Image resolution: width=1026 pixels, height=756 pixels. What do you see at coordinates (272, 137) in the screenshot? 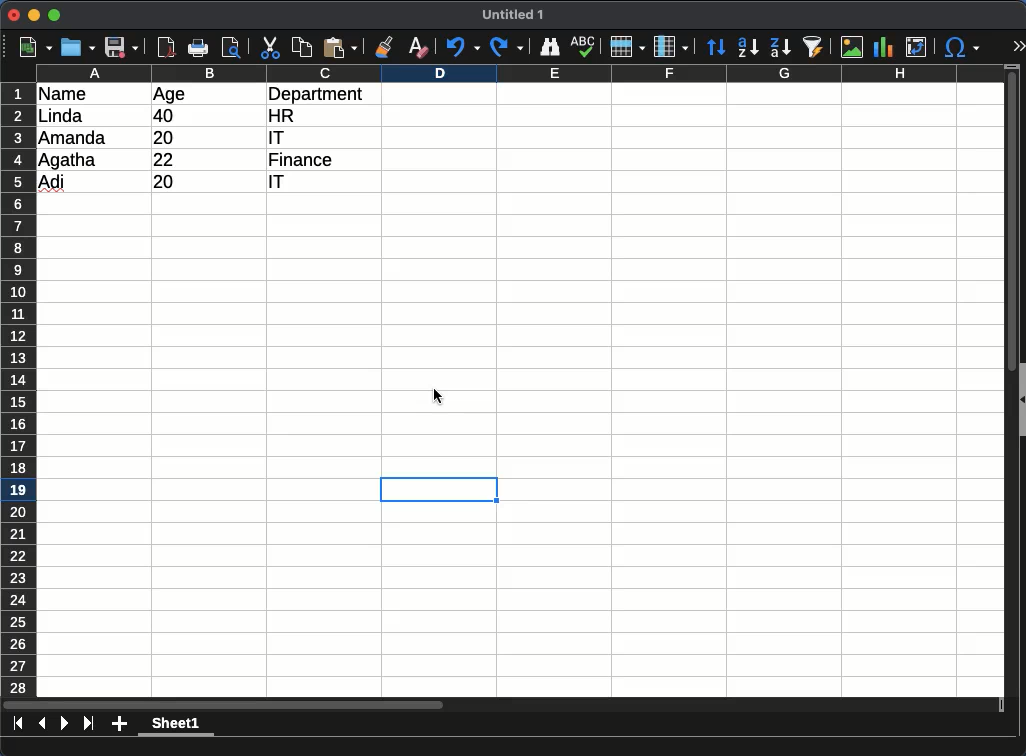
I see `it` at bounding box center [272, 137].